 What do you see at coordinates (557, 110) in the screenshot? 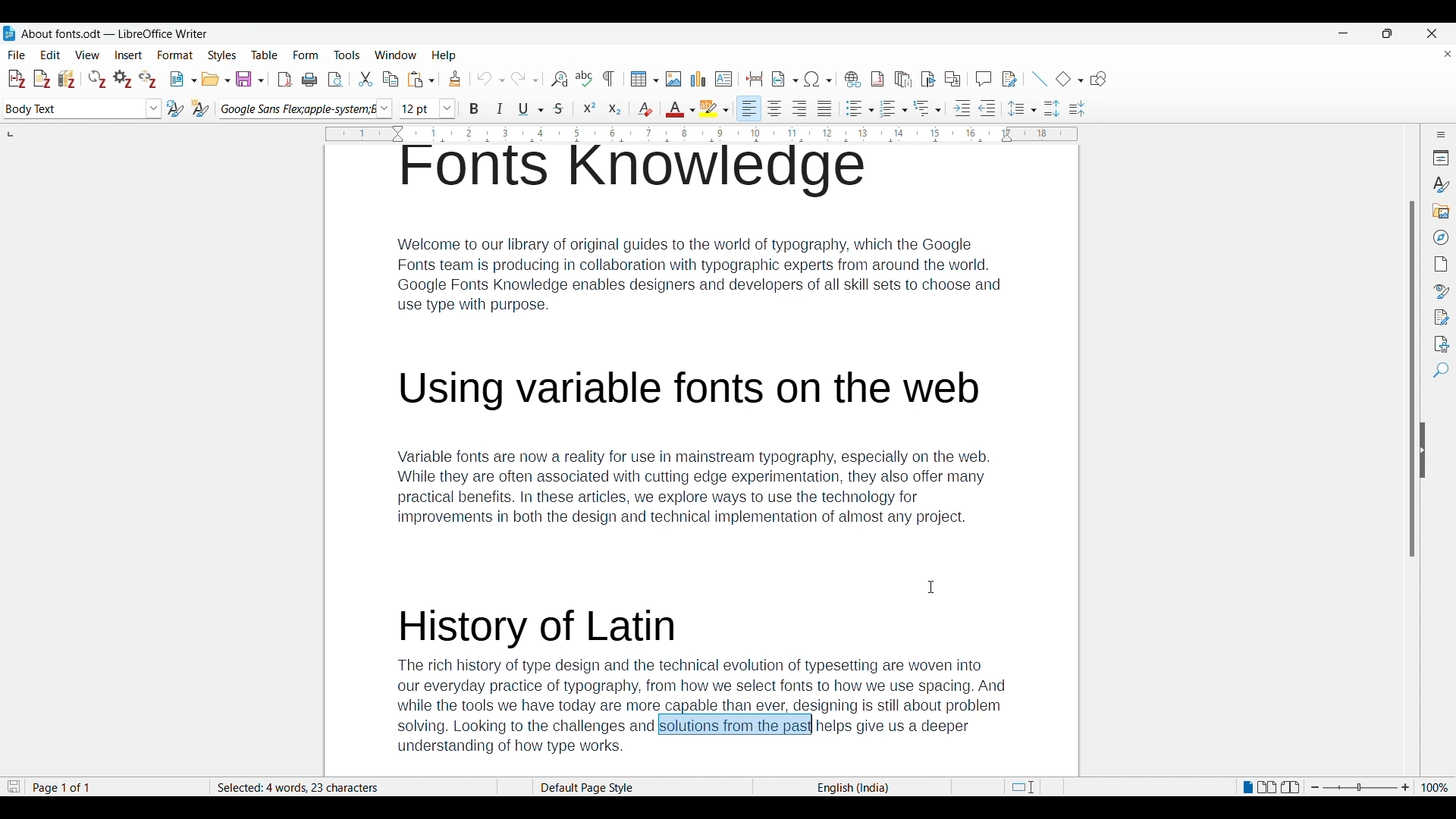
I see `Strikethrough` at bounding box center [557, 110].